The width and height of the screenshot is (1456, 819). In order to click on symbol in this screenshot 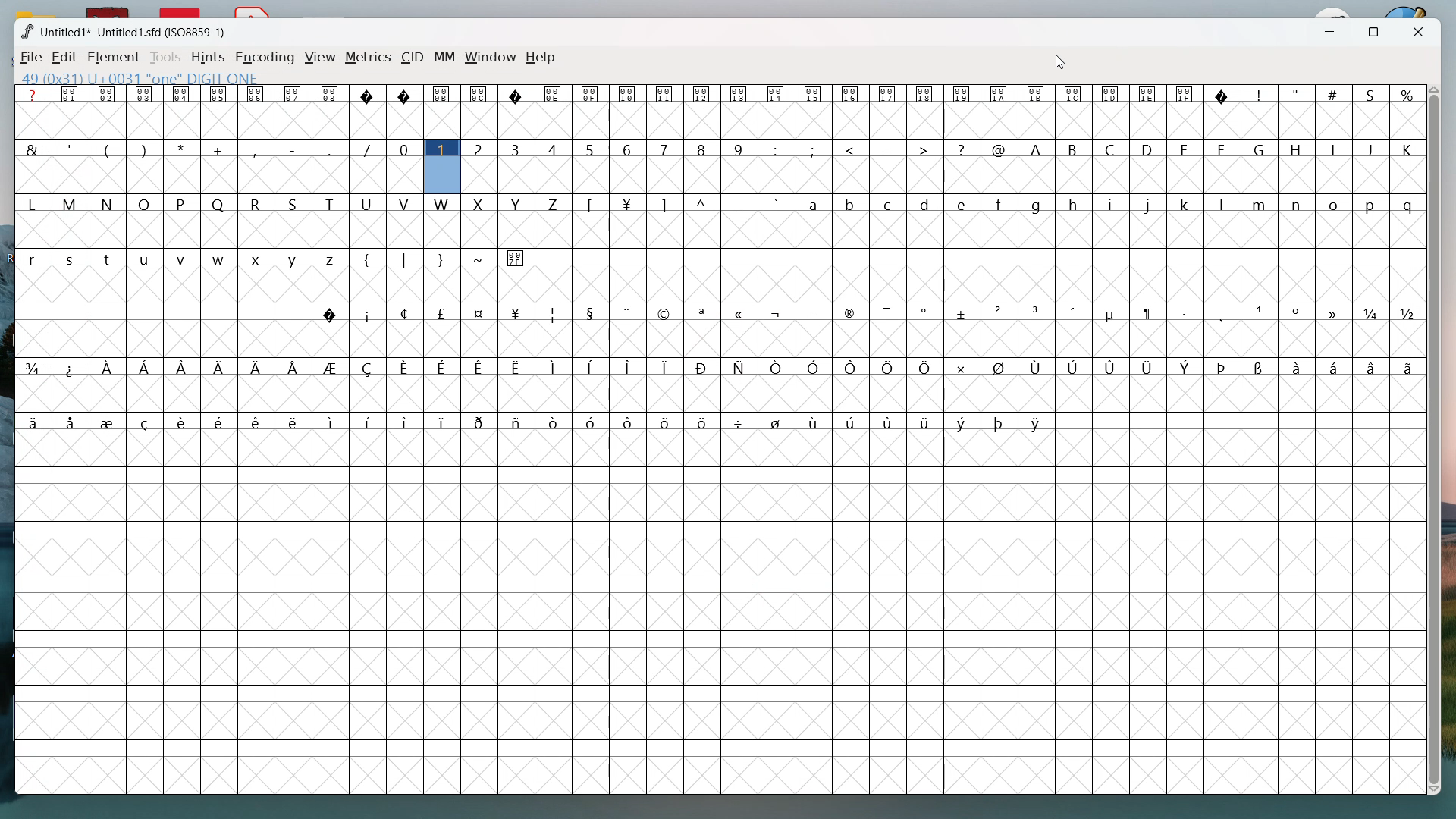, I will do `click(554, 367)`.